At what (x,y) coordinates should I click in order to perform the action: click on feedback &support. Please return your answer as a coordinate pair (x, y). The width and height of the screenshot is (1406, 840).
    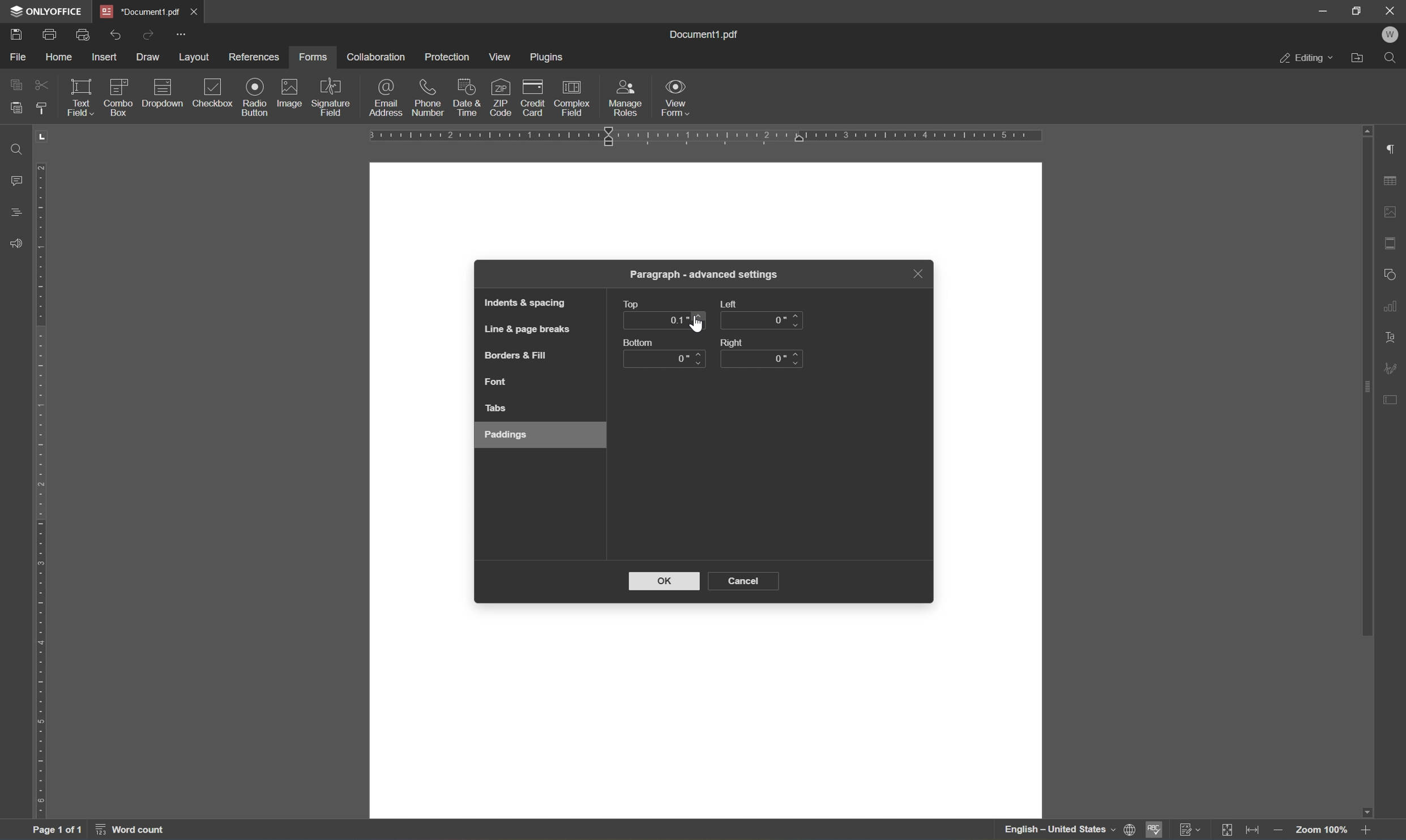
    Looking at the image, I should click on (17, 242).